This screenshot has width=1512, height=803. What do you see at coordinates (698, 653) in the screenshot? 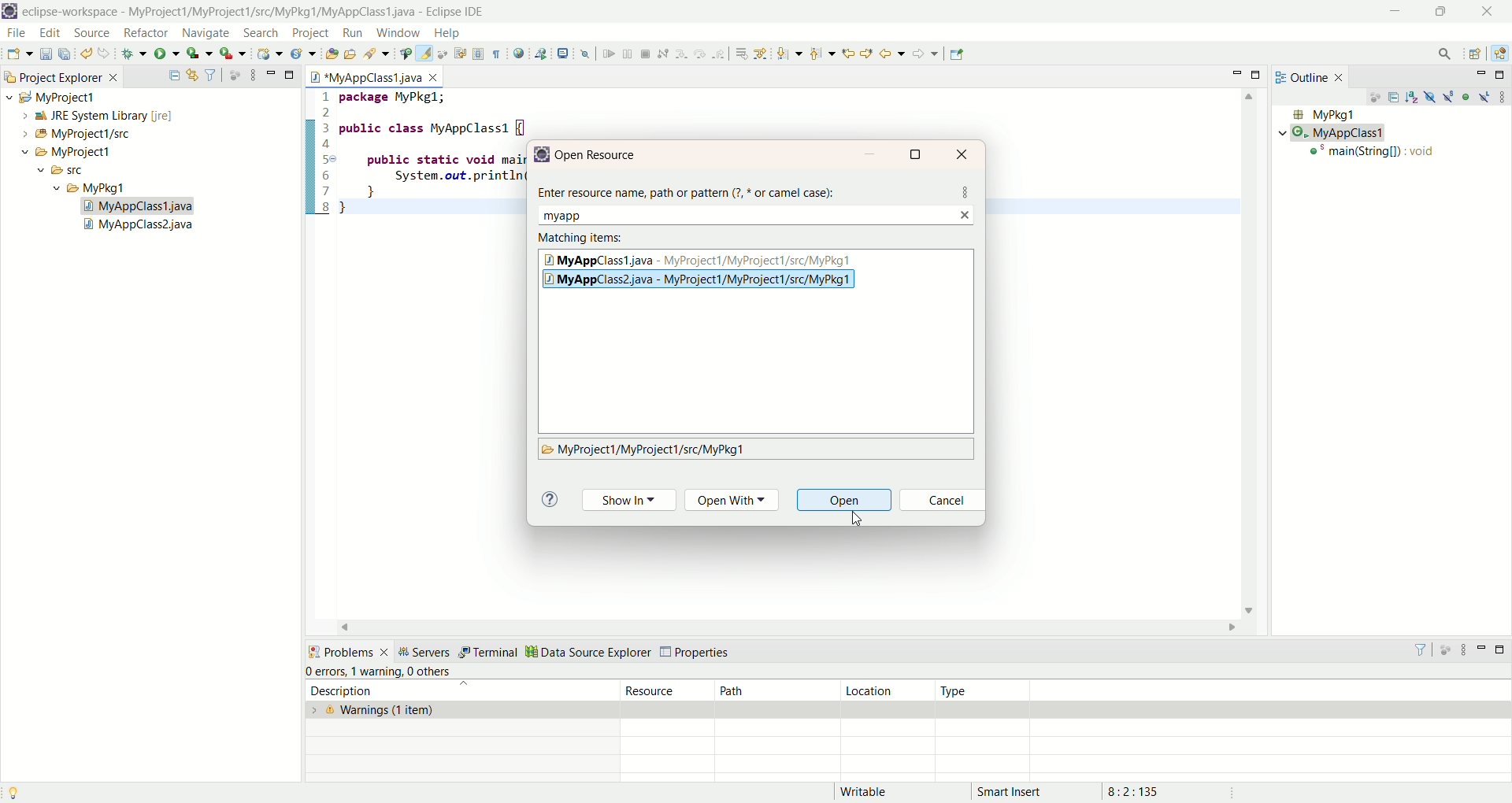
I see `properties` at bounding box center [698, 653].